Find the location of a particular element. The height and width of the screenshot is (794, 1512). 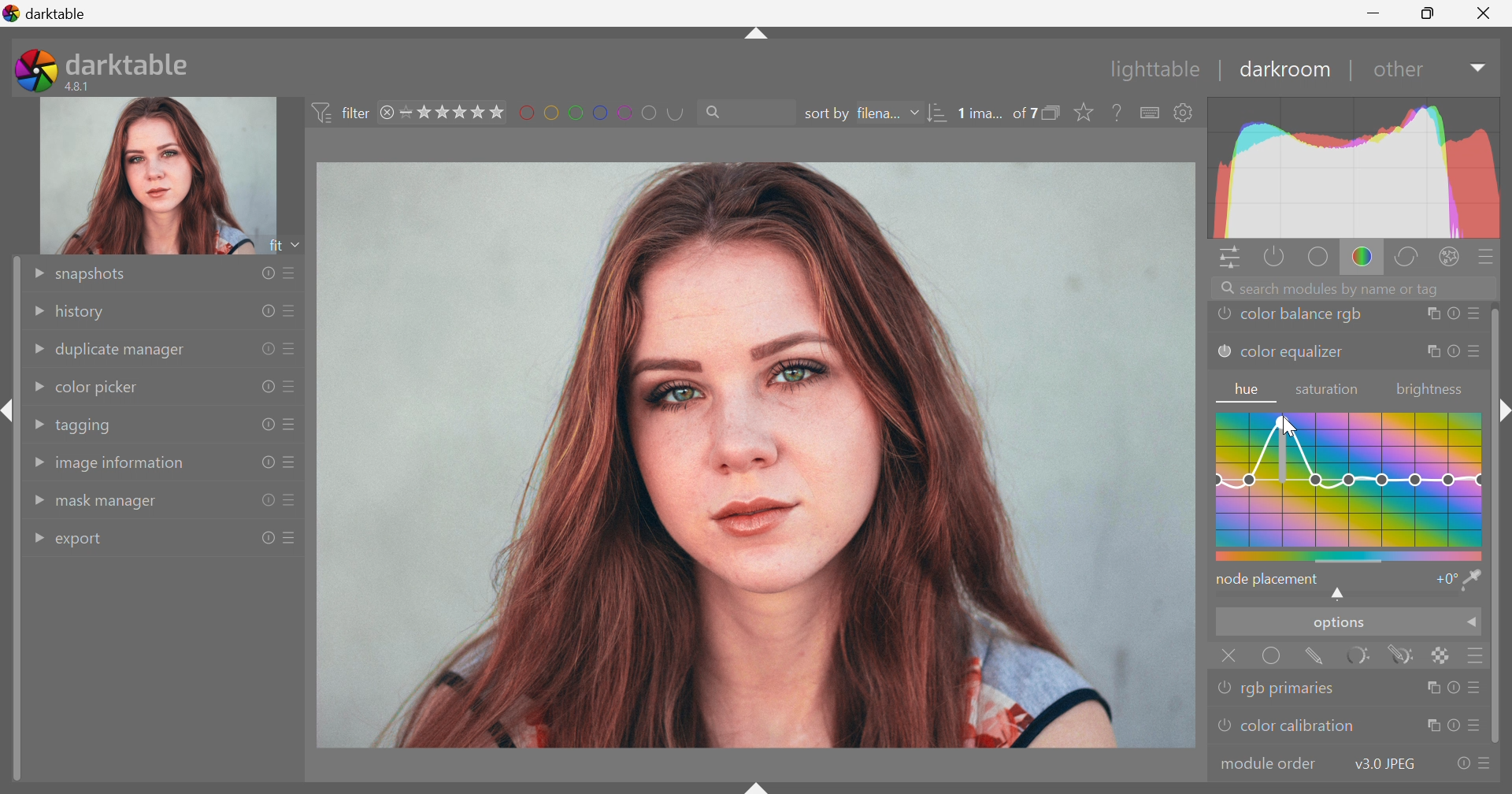

Drop Down is located at coordinates (36, 309).